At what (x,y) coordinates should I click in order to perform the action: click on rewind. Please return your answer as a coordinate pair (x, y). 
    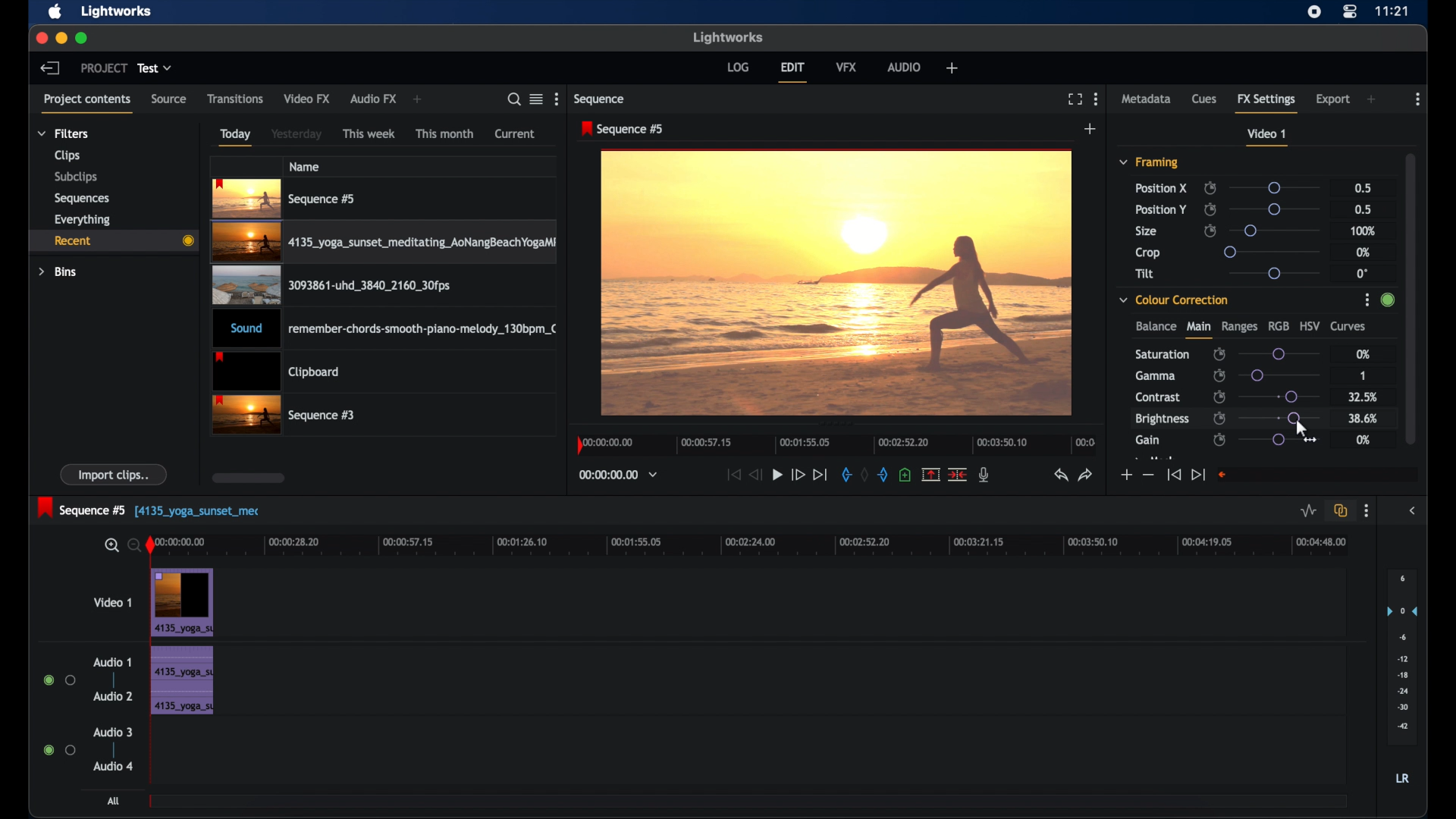
    Looking at the image, I should click on (757, 475).